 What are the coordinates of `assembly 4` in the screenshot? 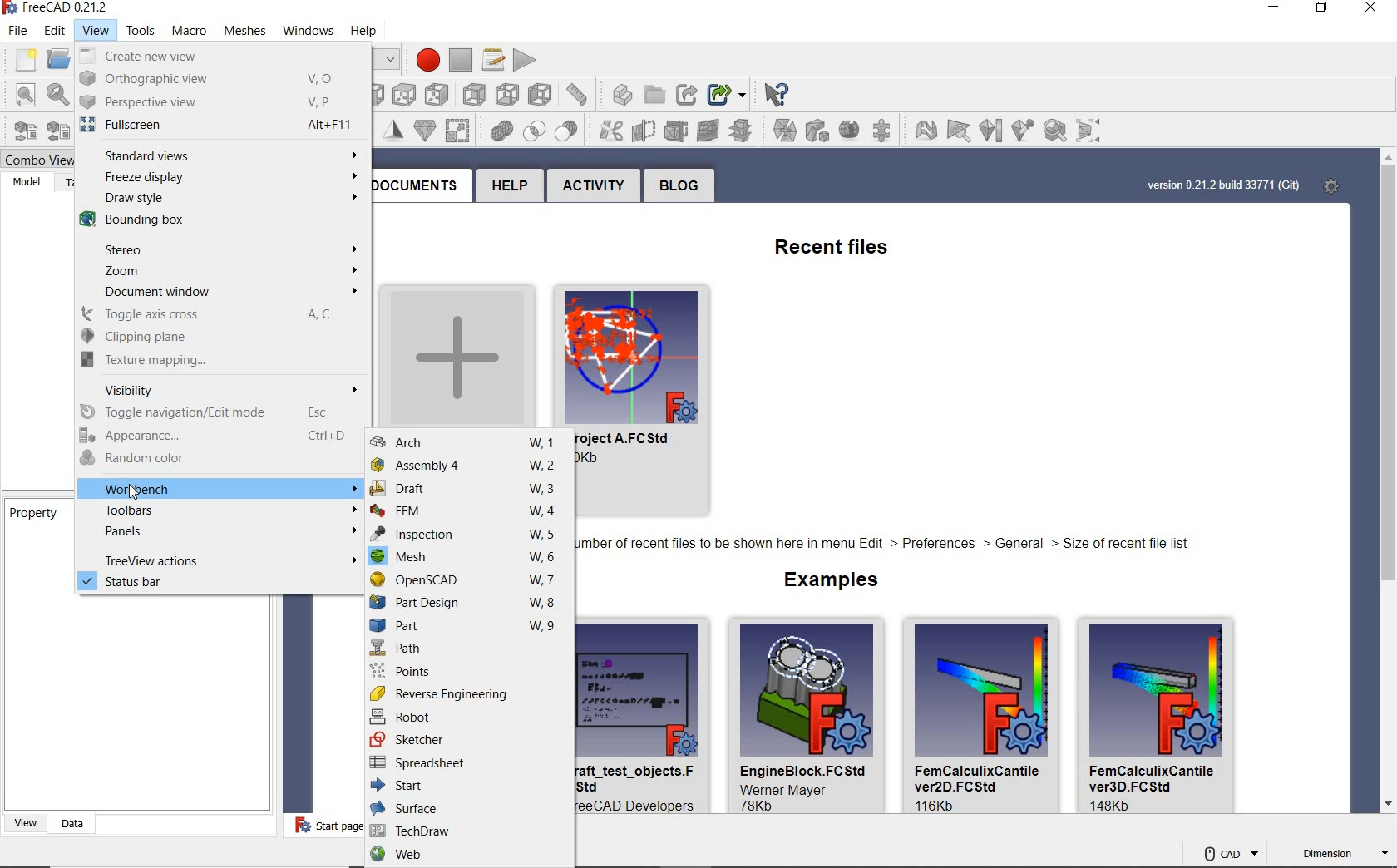 It's located at (469, 466).